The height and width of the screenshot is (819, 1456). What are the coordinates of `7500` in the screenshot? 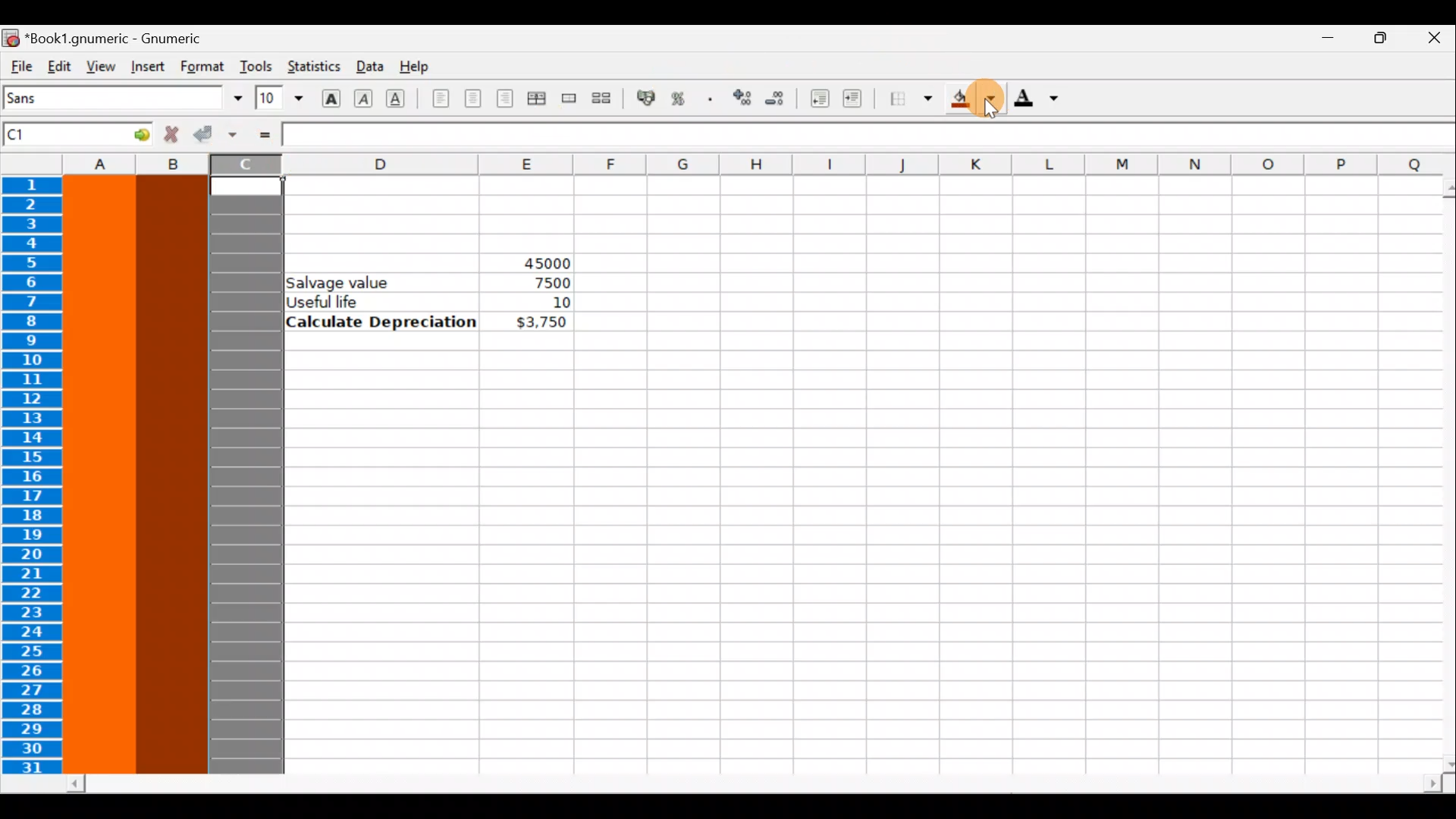 It's located at (548, 283).